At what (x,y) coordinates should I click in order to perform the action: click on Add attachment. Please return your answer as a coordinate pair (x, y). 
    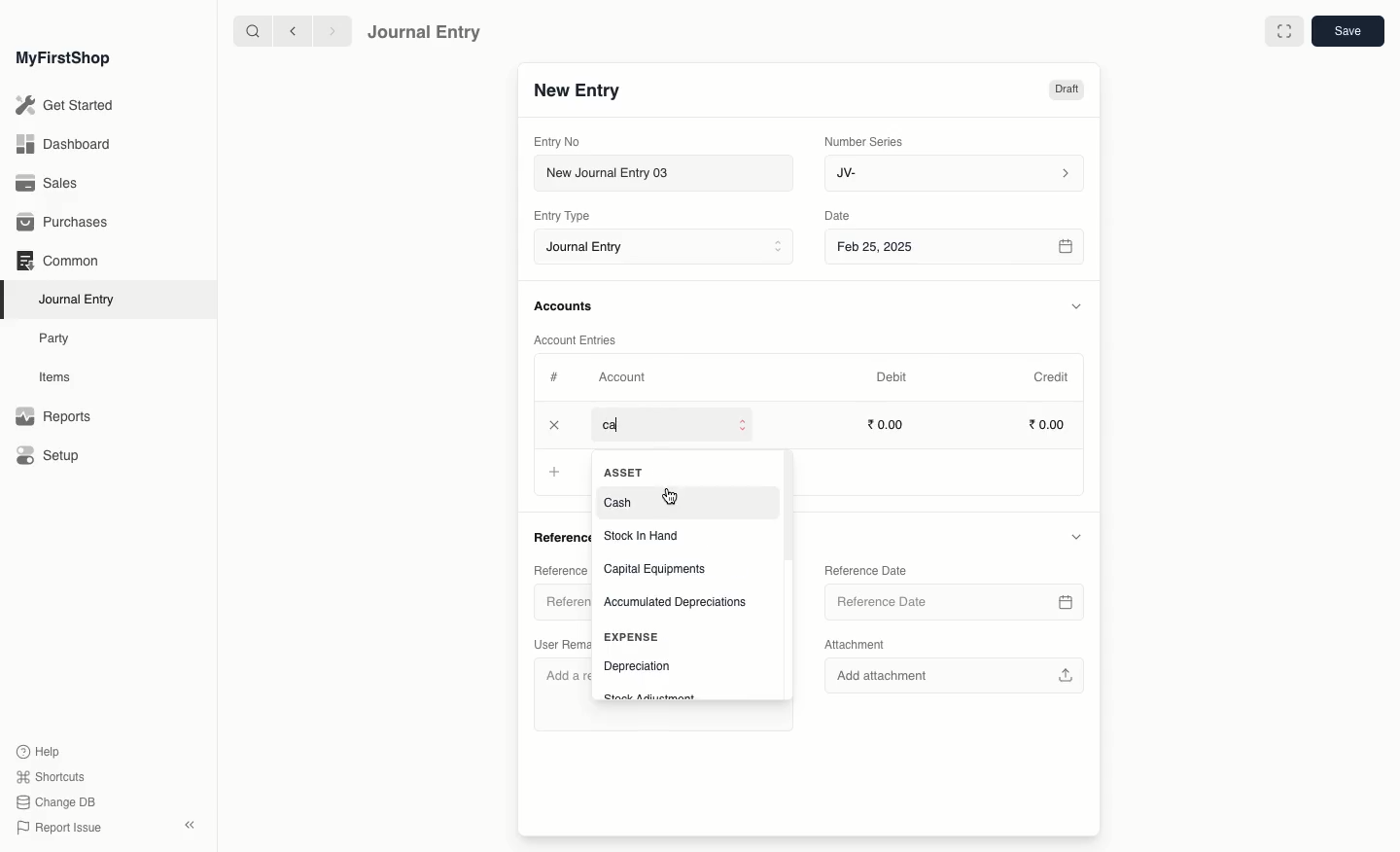
    Looking at the image, I should click on (957, 675).